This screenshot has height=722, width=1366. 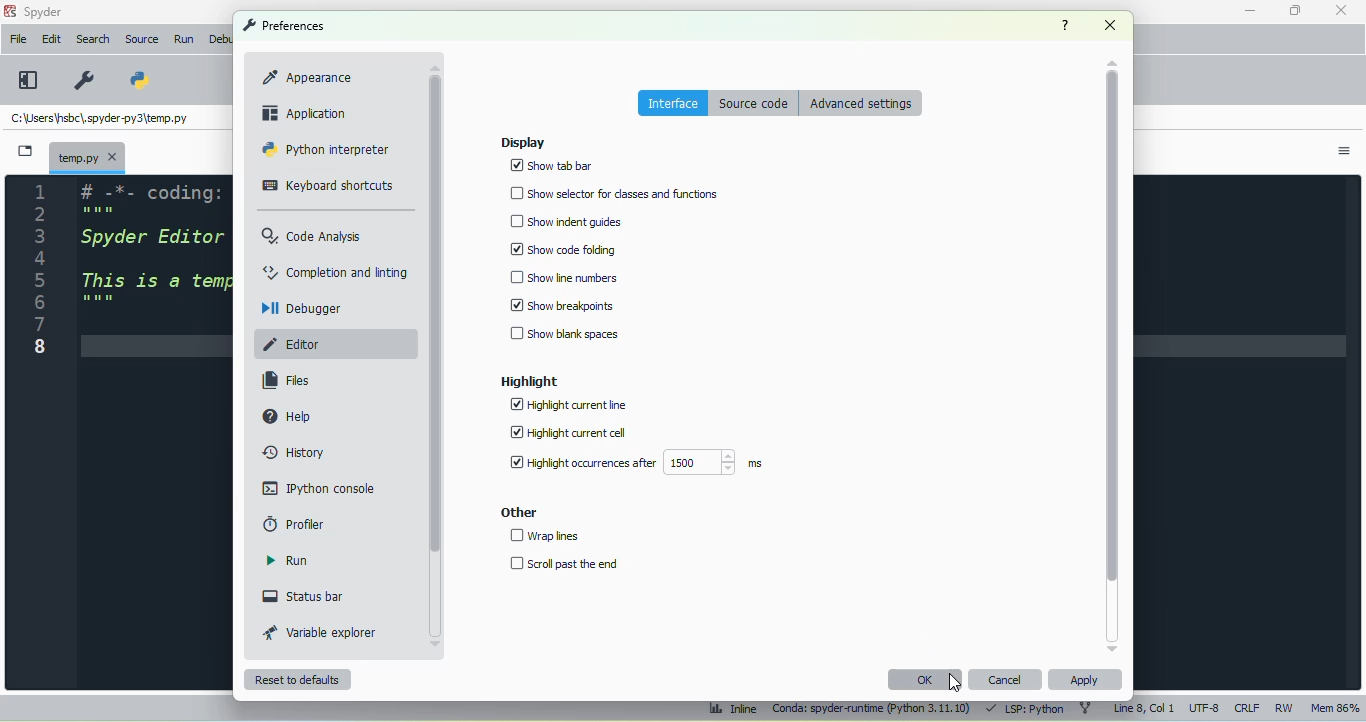 What do you see at coordinates (1205, 707) in the screenshot?
I see `UTF-8` at bounding box center [1205, 707].